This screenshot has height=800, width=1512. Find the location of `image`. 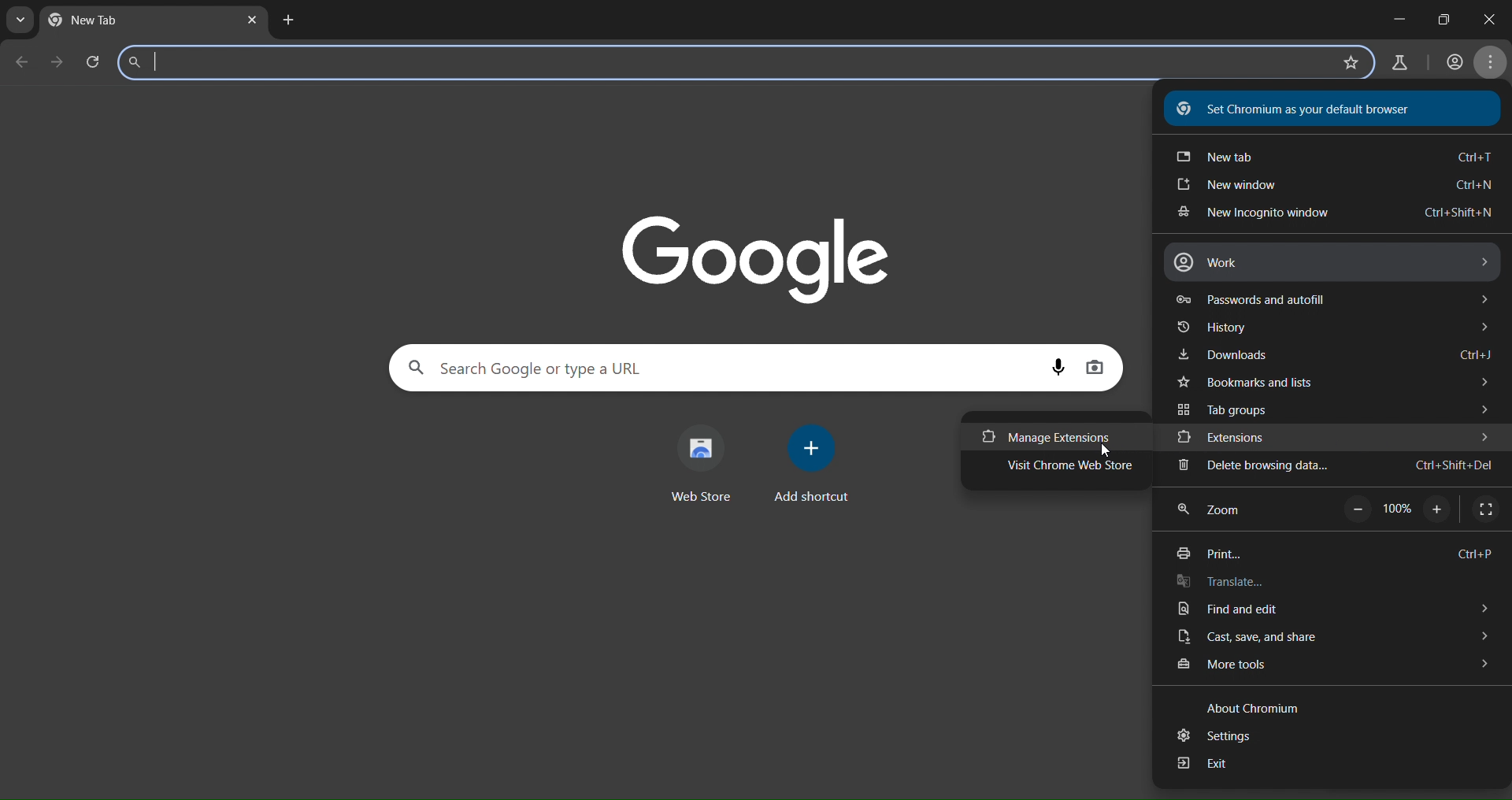

image is located at coordinates (756, 254).